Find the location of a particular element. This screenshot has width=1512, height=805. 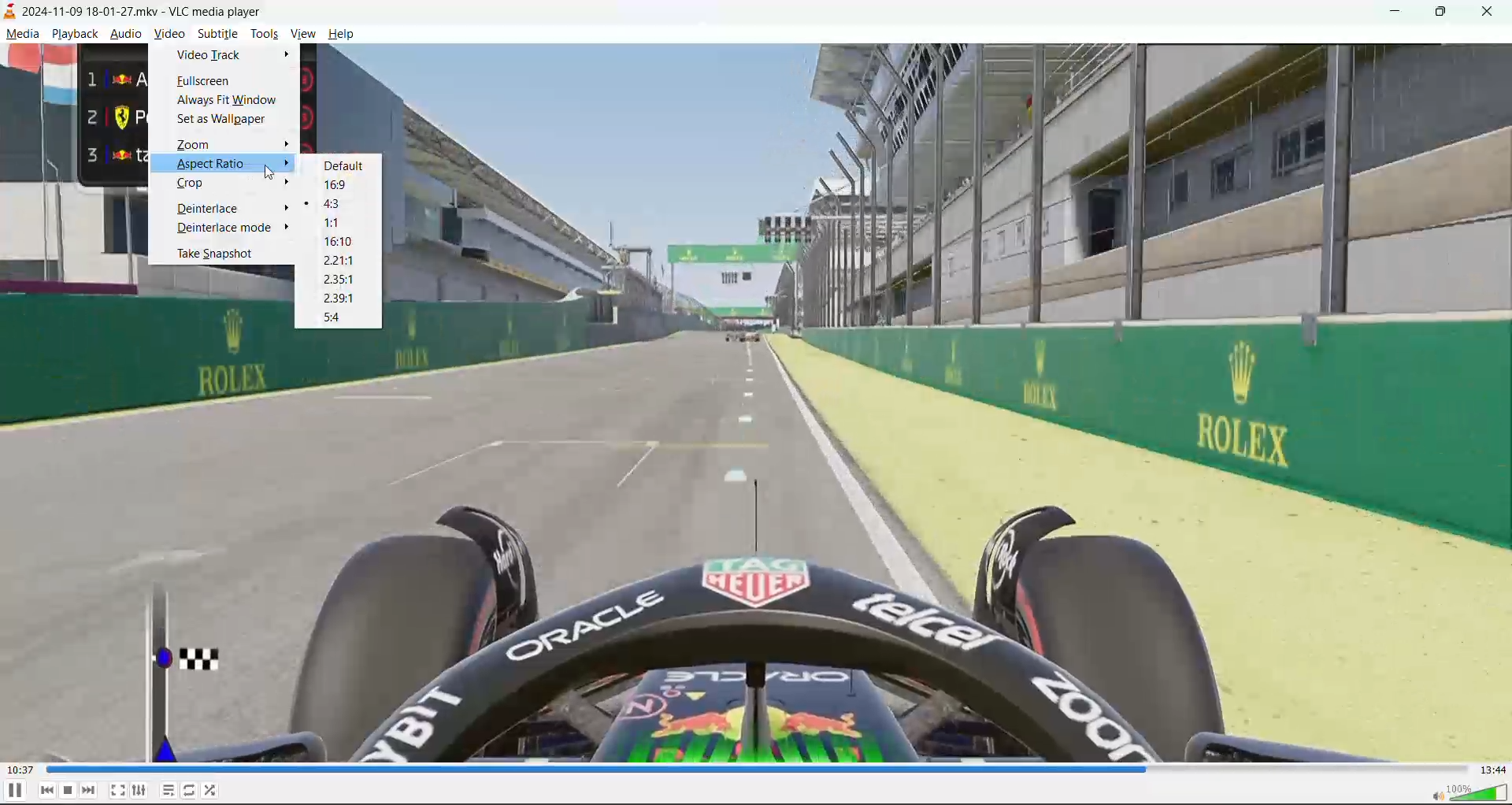

set as wallpaper is located at coordinates (224, 121).